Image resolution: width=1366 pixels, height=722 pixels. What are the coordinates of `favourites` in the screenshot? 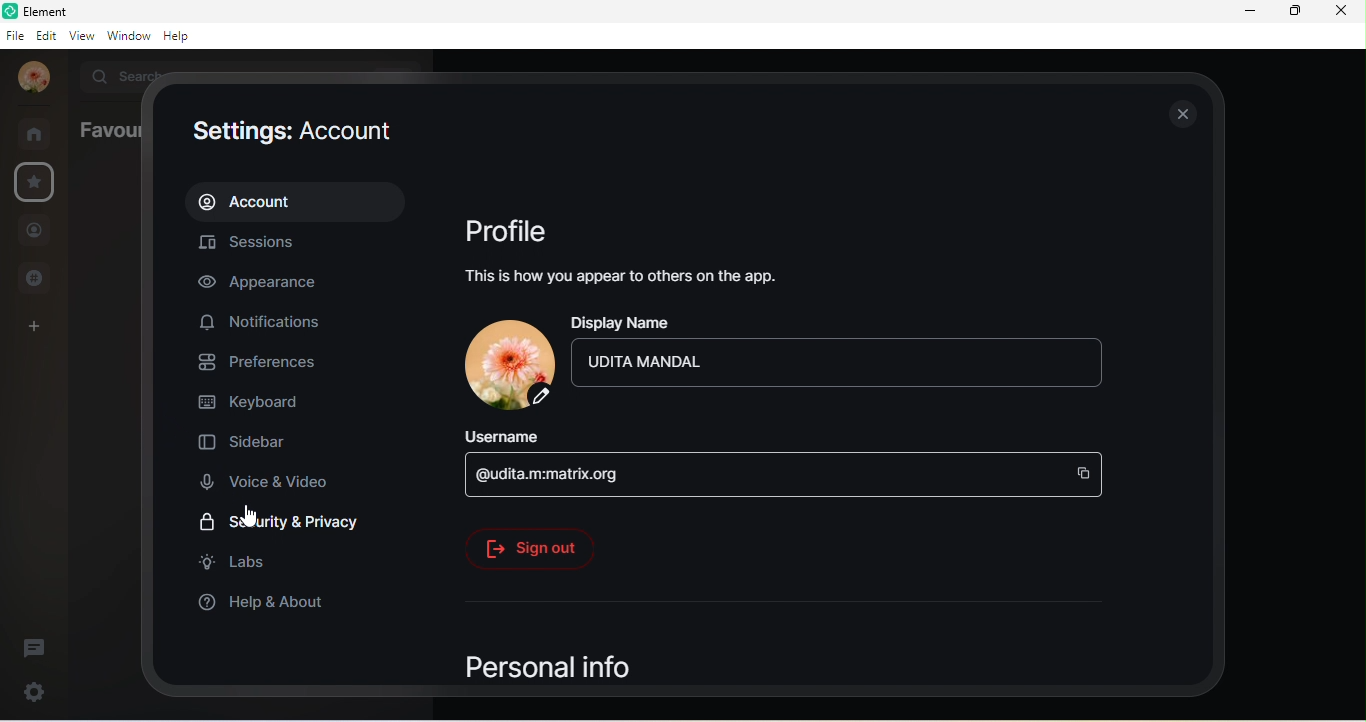 It's located at (35, 183).